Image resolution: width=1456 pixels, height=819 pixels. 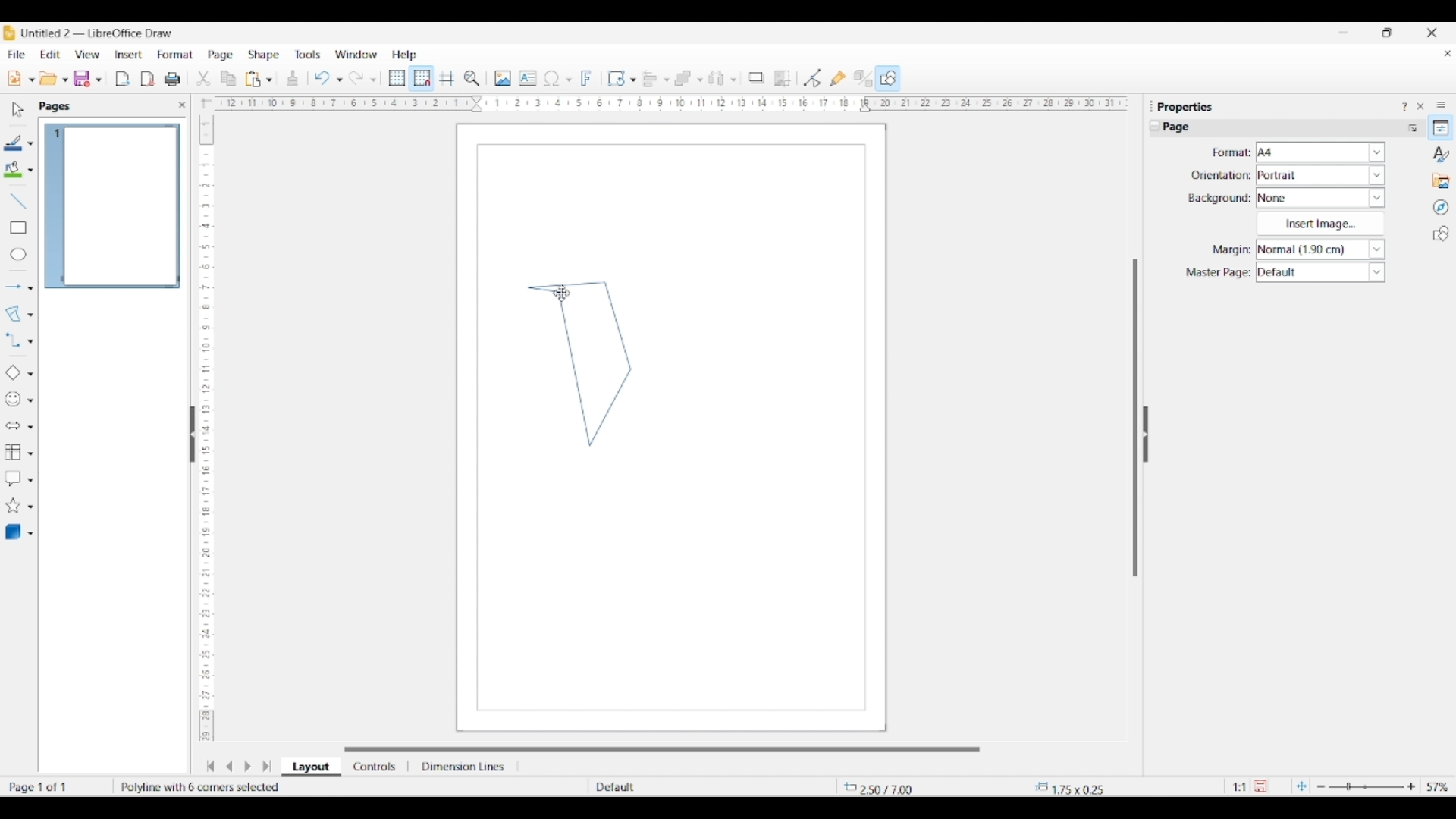 I want to click on Float properties panel, so click(x=1151, y=106).